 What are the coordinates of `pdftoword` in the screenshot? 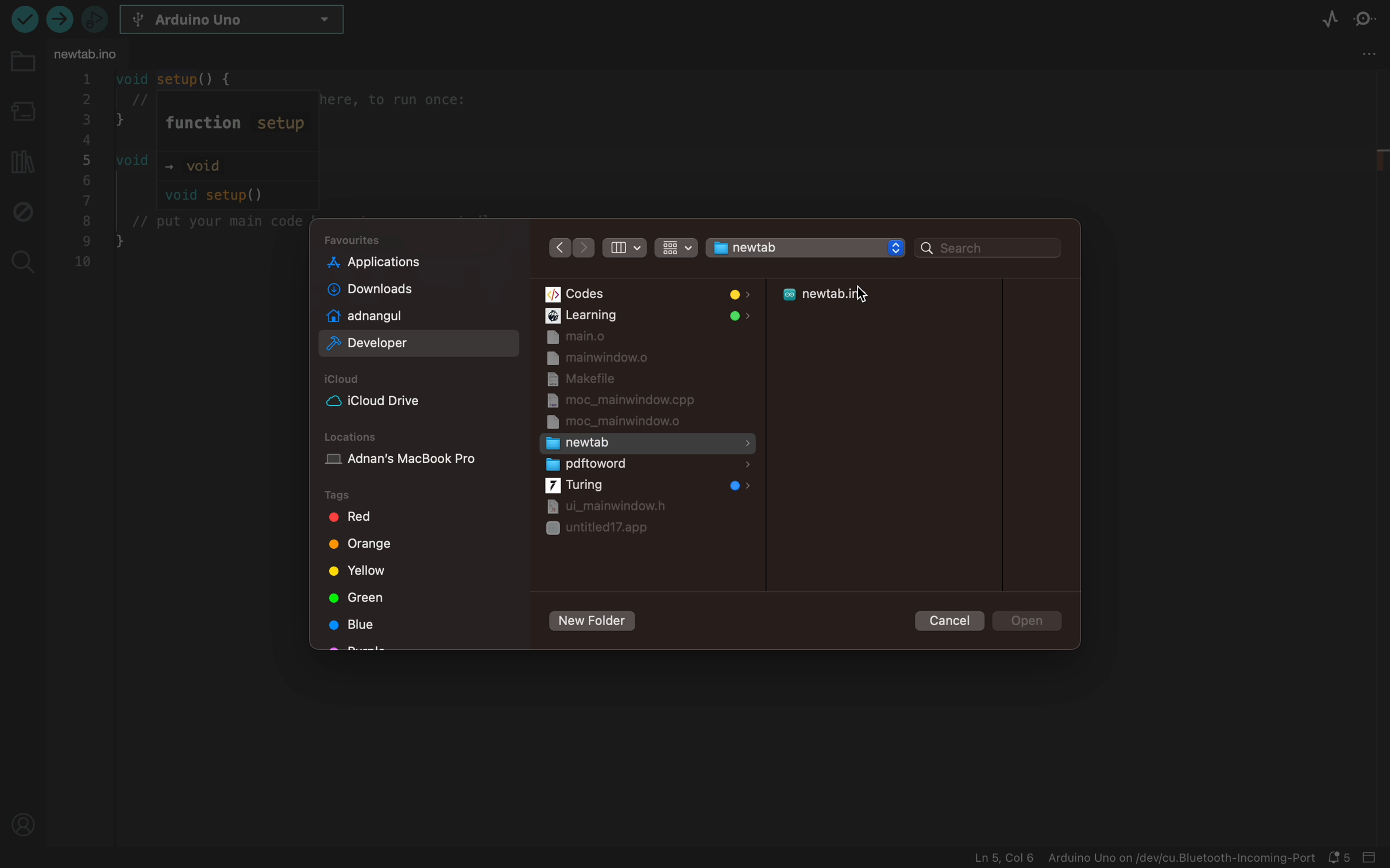 It's located at (646, 465).